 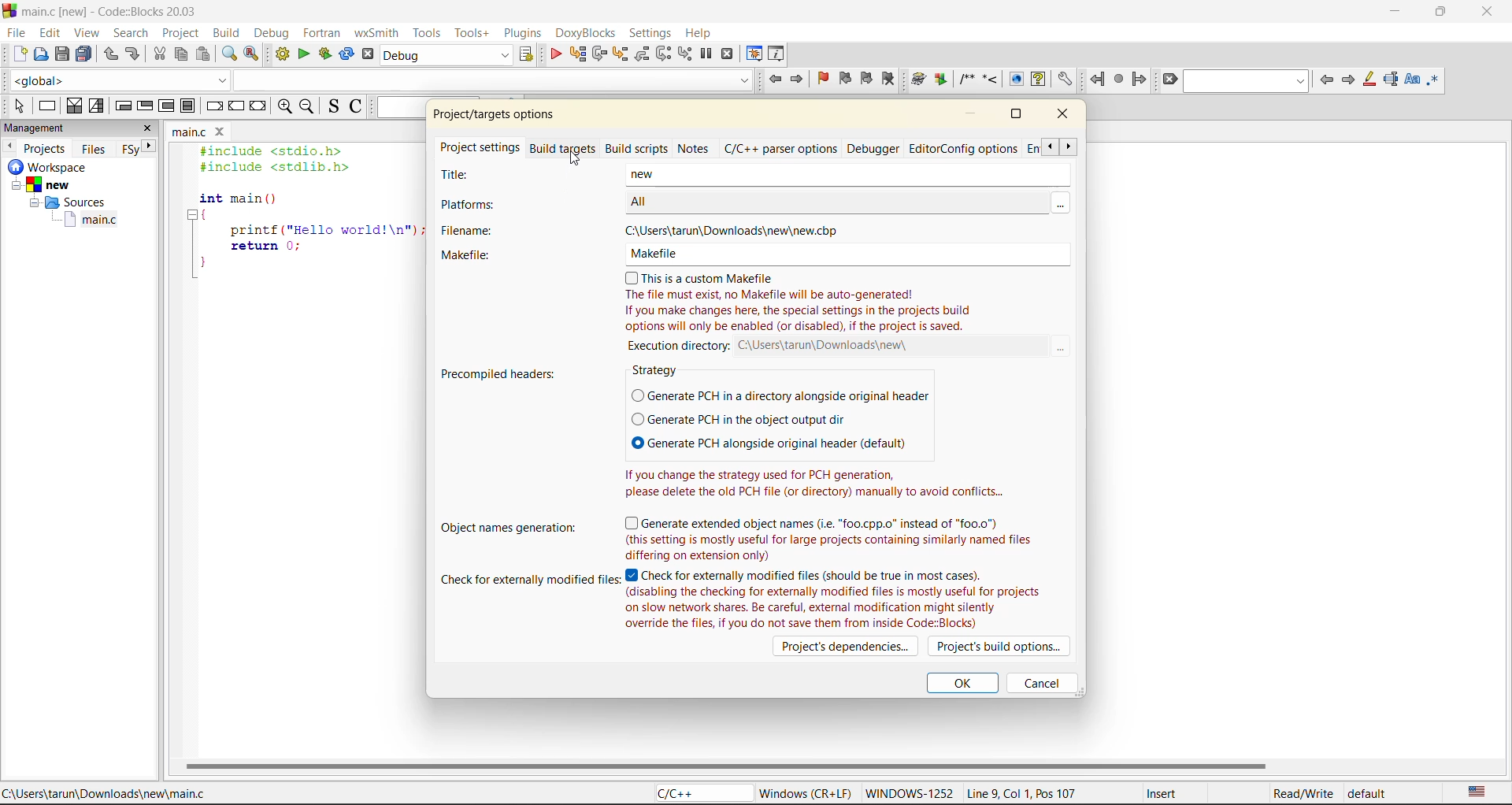 I want to click on step into, so click(x=620, y=56).